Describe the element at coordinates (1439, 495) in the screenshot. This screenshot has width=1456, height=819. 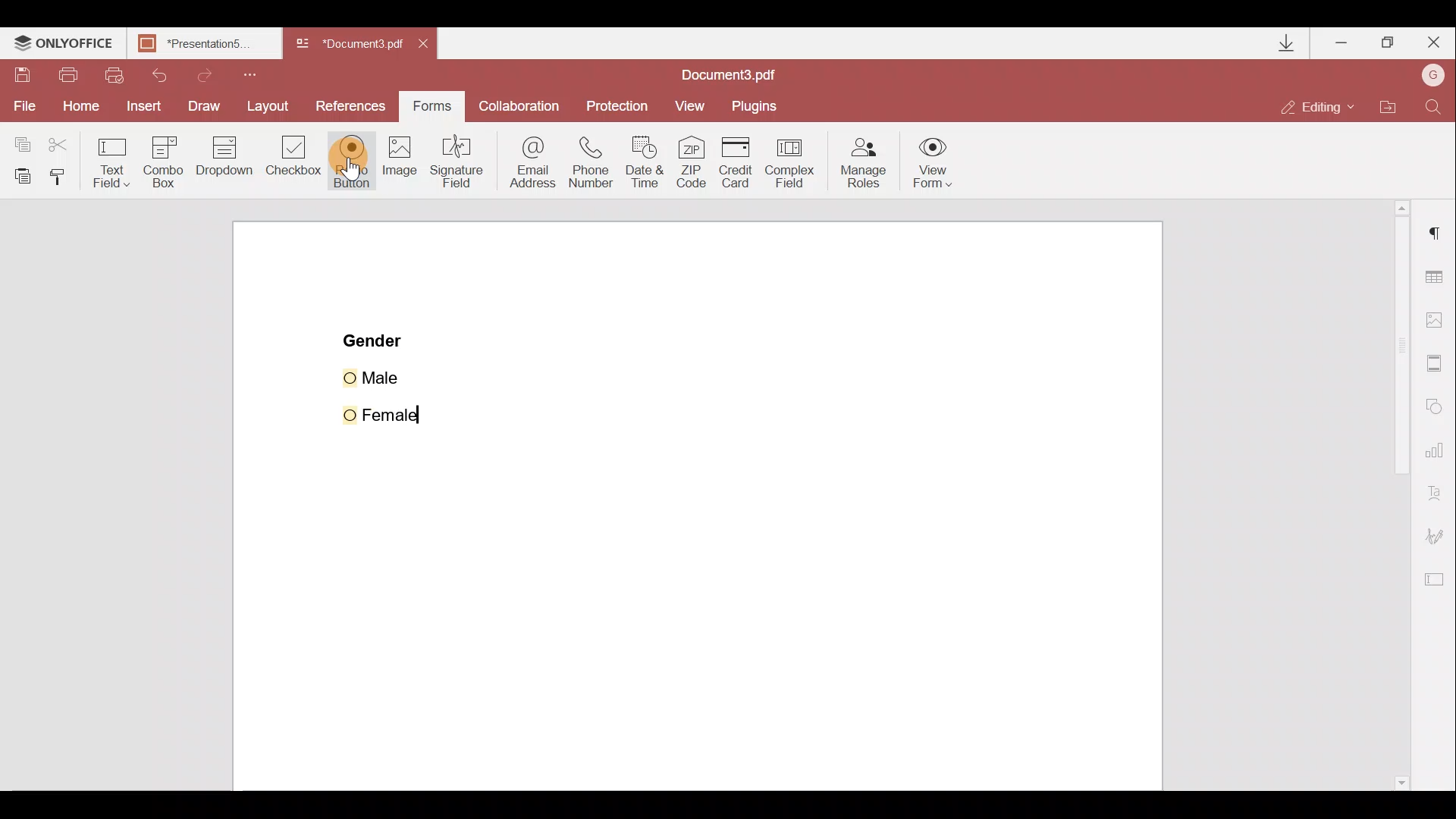
I see `Text Art settings` at that location.